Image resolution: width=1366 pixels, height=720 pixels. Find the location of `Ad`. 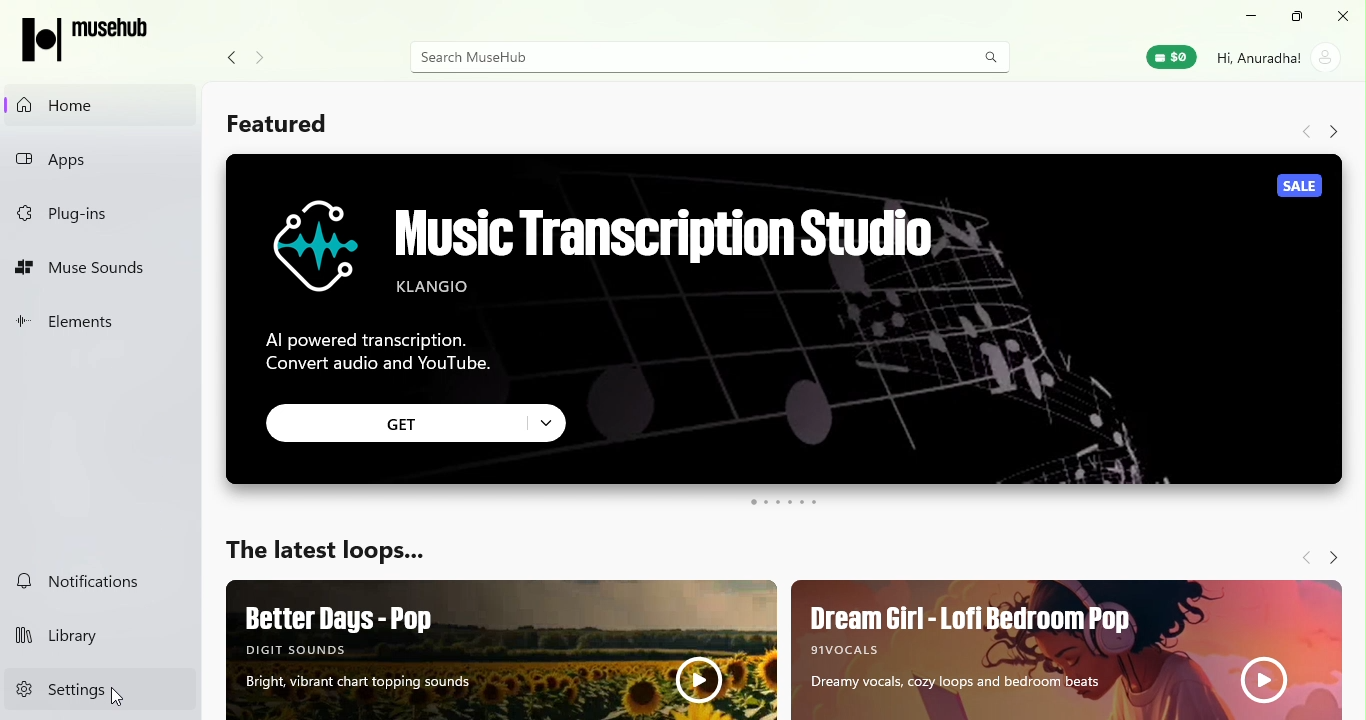

Ad is located at coordinates (787, 319).